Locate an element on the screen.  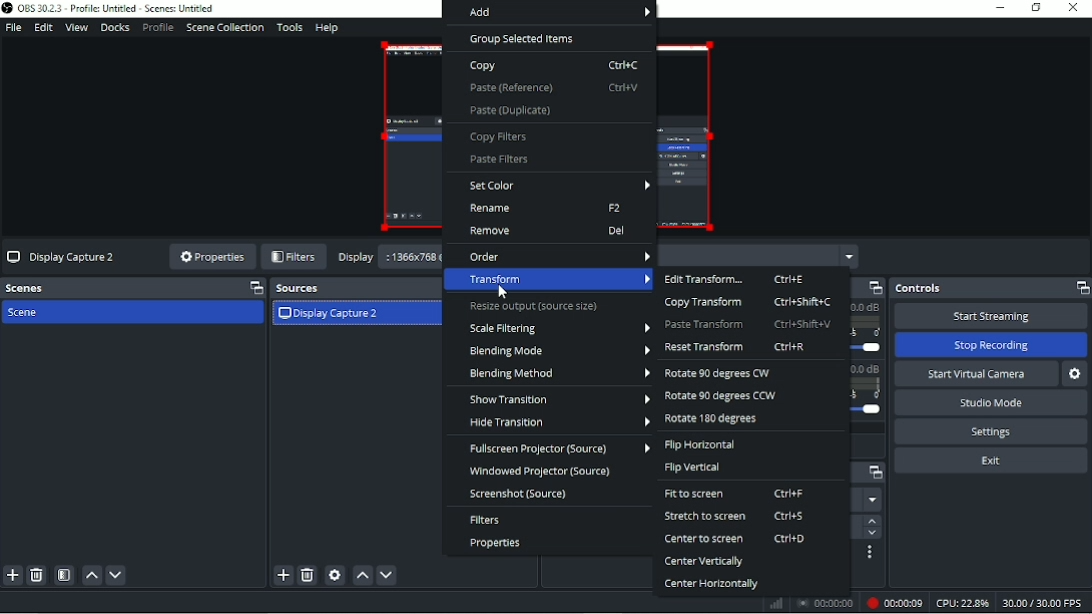
Scene is located at coordinates (27, 313).